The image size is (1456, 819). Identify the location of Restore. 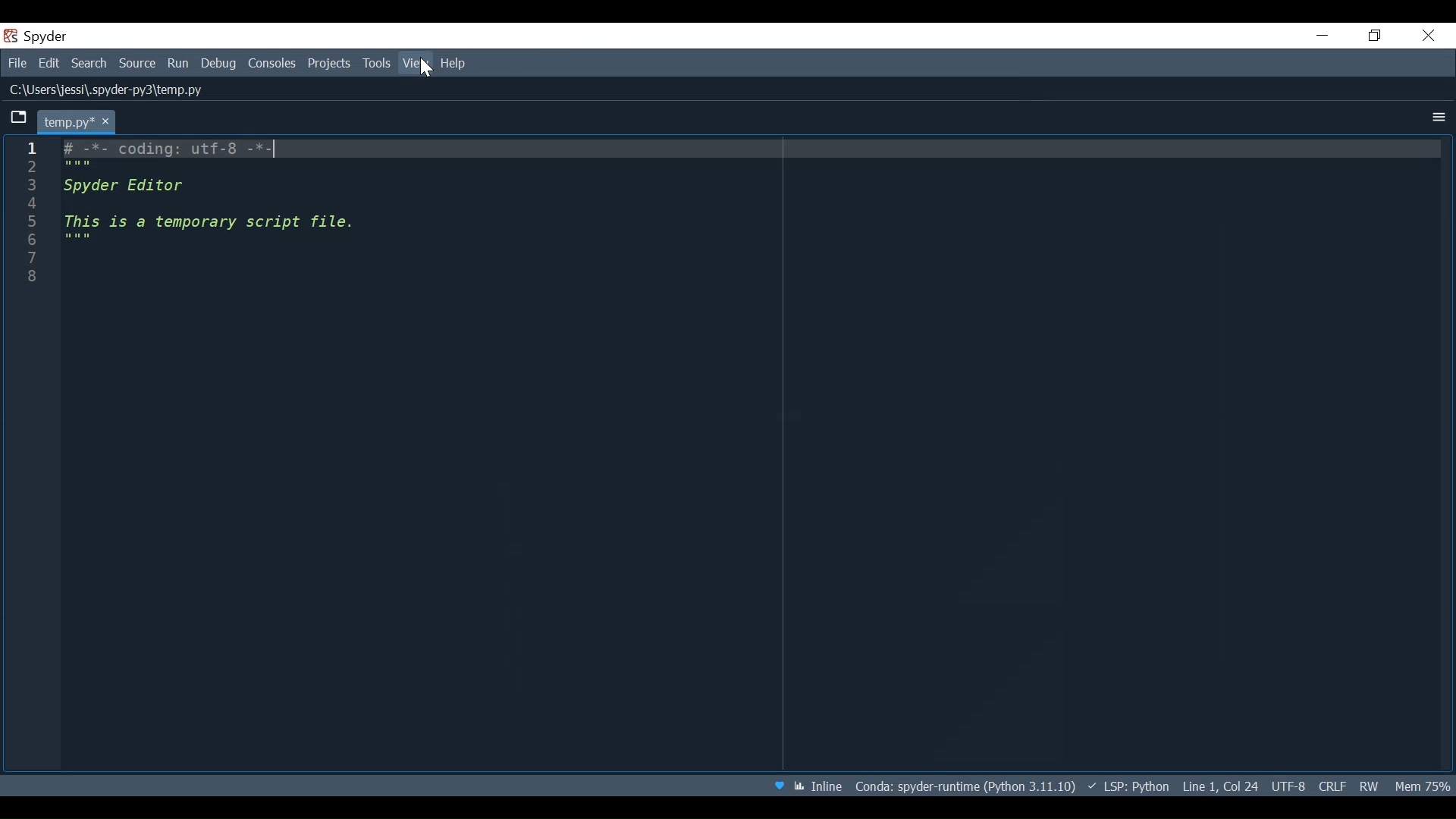
(1375, 36).